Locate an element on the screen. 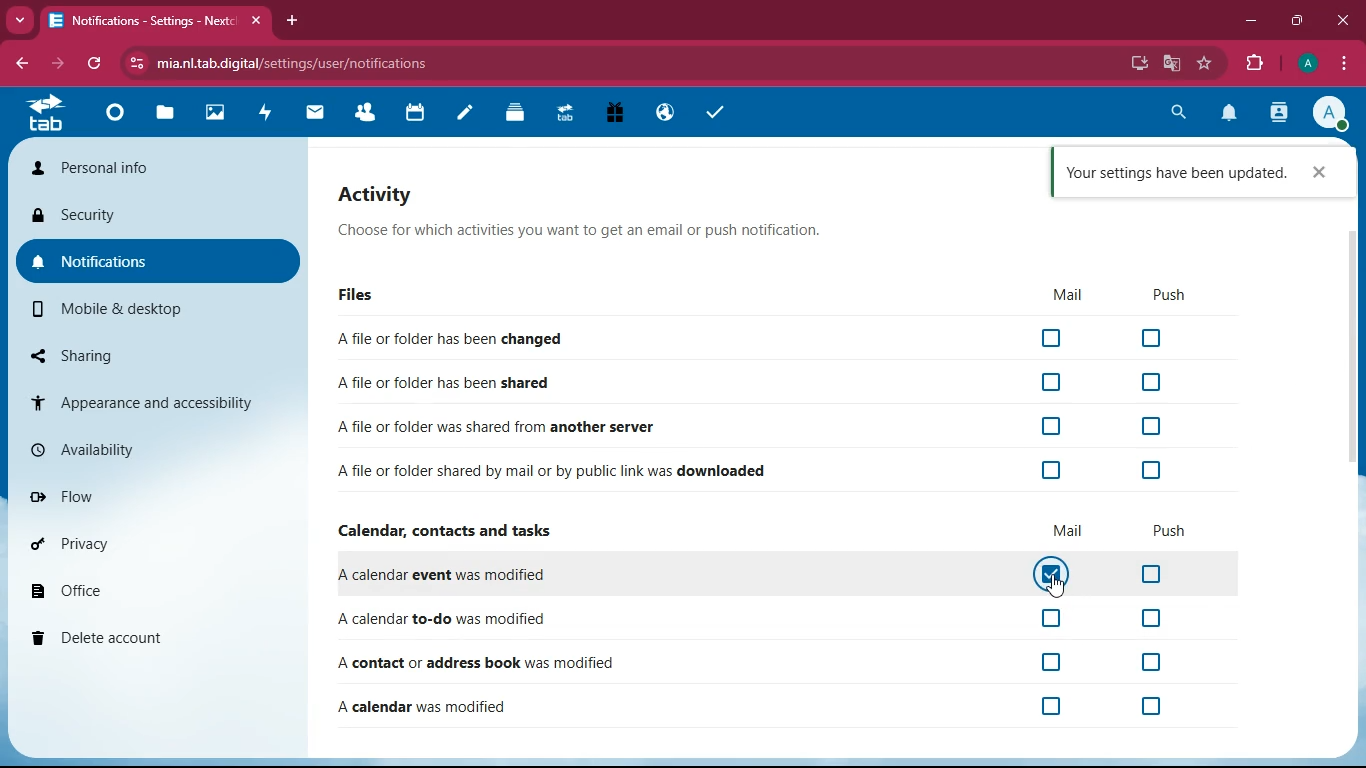 This screenshot has height=768, width=1366. mail is located at coordinates (1068, 296).